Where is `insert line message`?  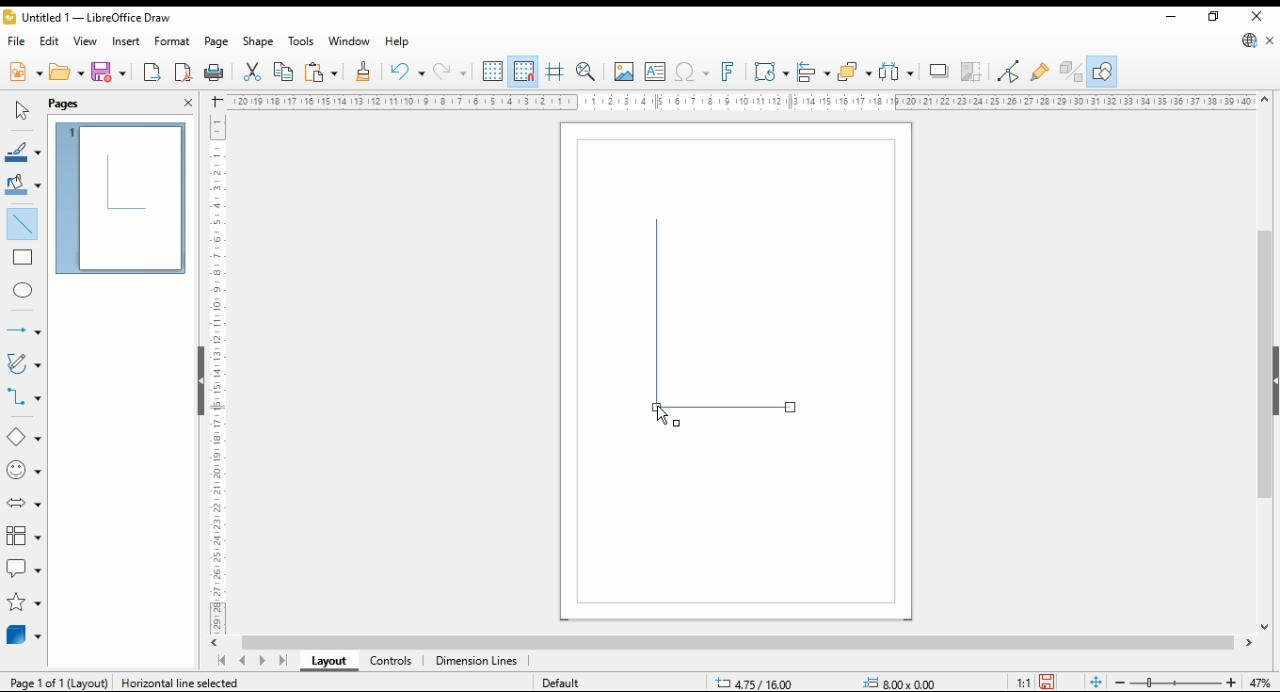 insert line message is located at coordinates (26, 258).